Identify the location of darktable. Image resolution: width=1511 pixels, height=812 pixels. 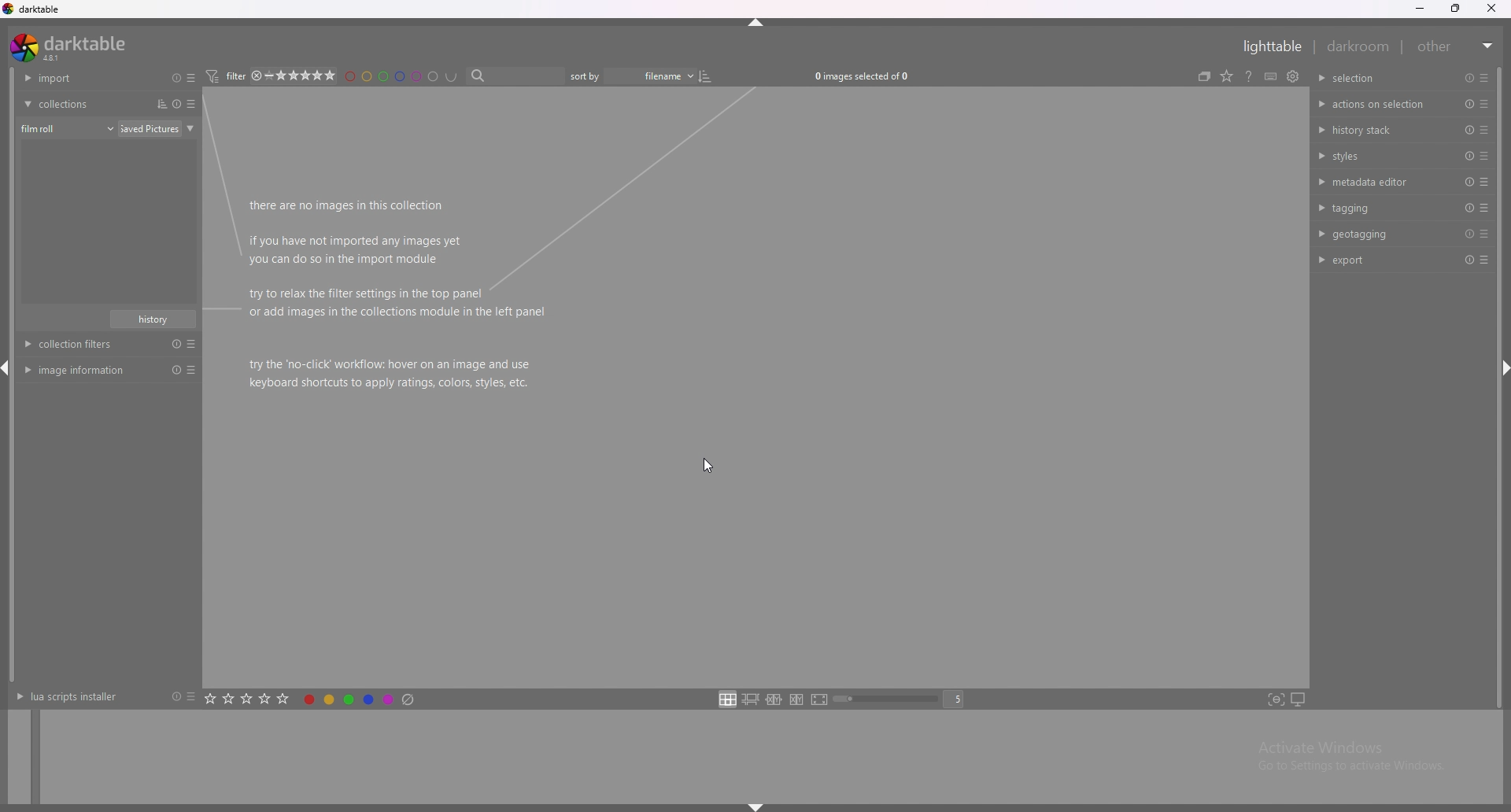
(33, 9).